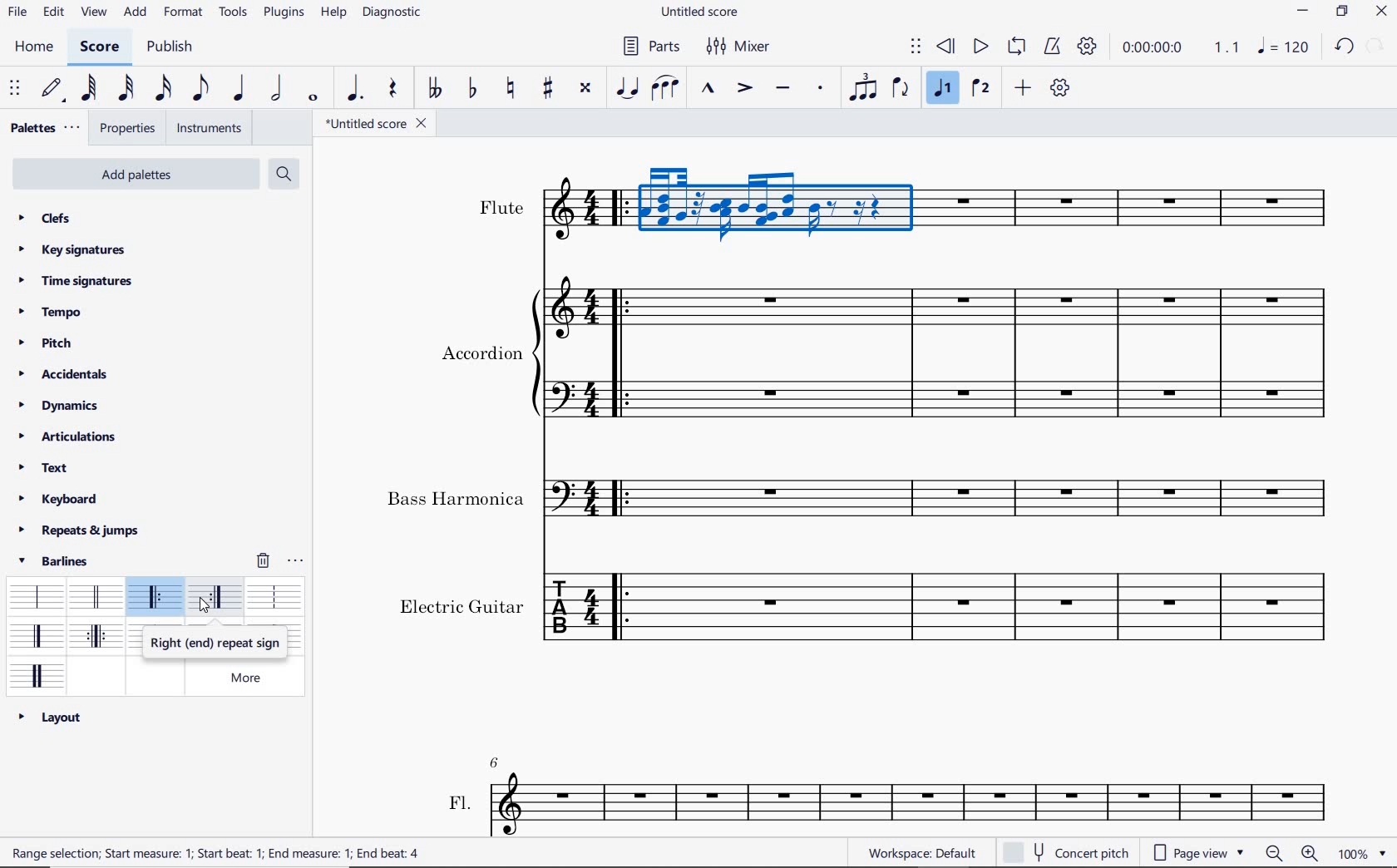 This screenshot has width=1397, height=868. What do you see at coordinates (623, 608) in the screenshot?
I see `left (start) repeat sign added` at bounding box center [623, 608].